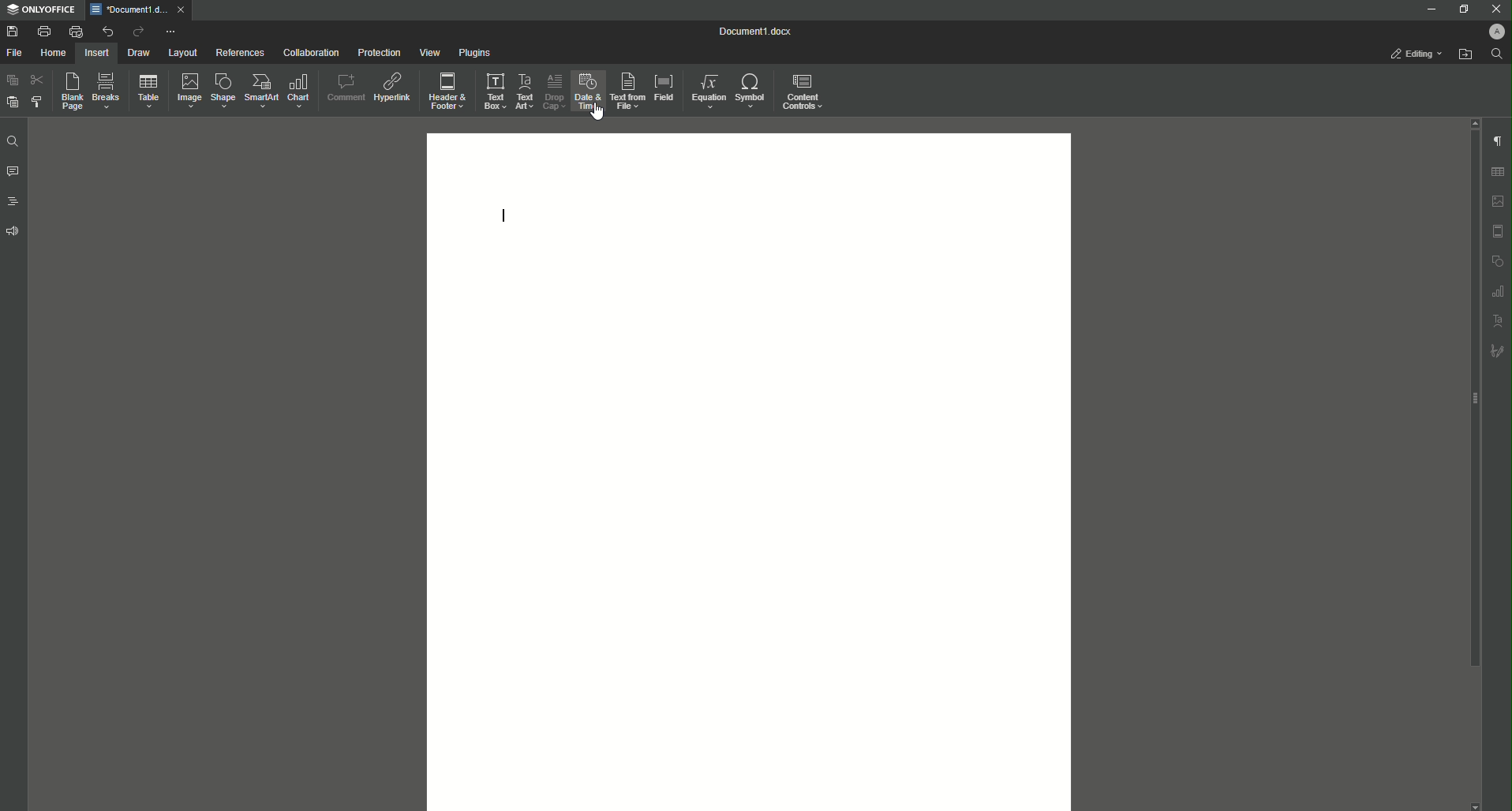  I want to click on View, so click(425, 52).